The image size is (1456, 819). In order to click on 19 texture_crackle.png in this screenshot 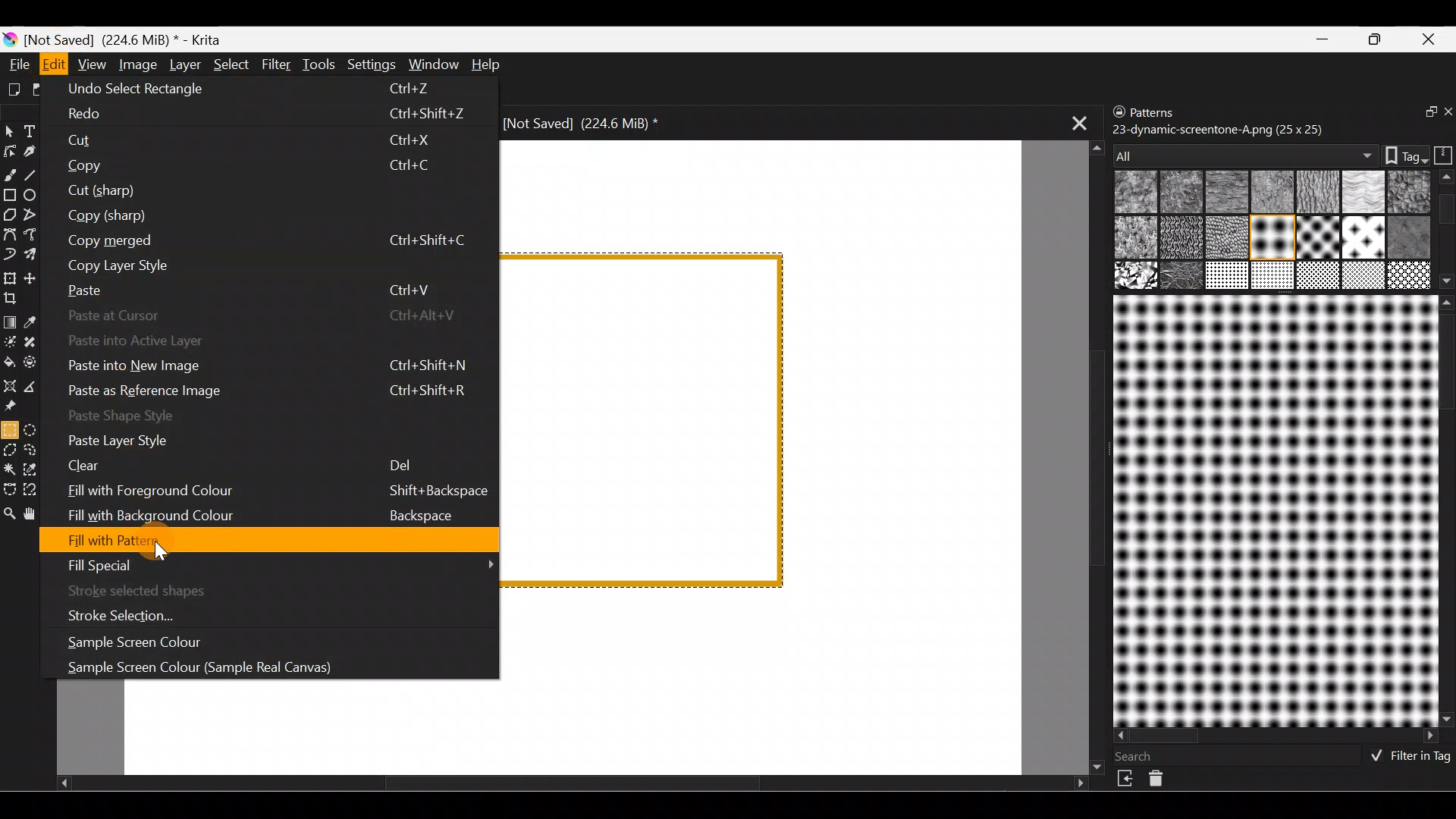, I will do `click(1363, 275)`.